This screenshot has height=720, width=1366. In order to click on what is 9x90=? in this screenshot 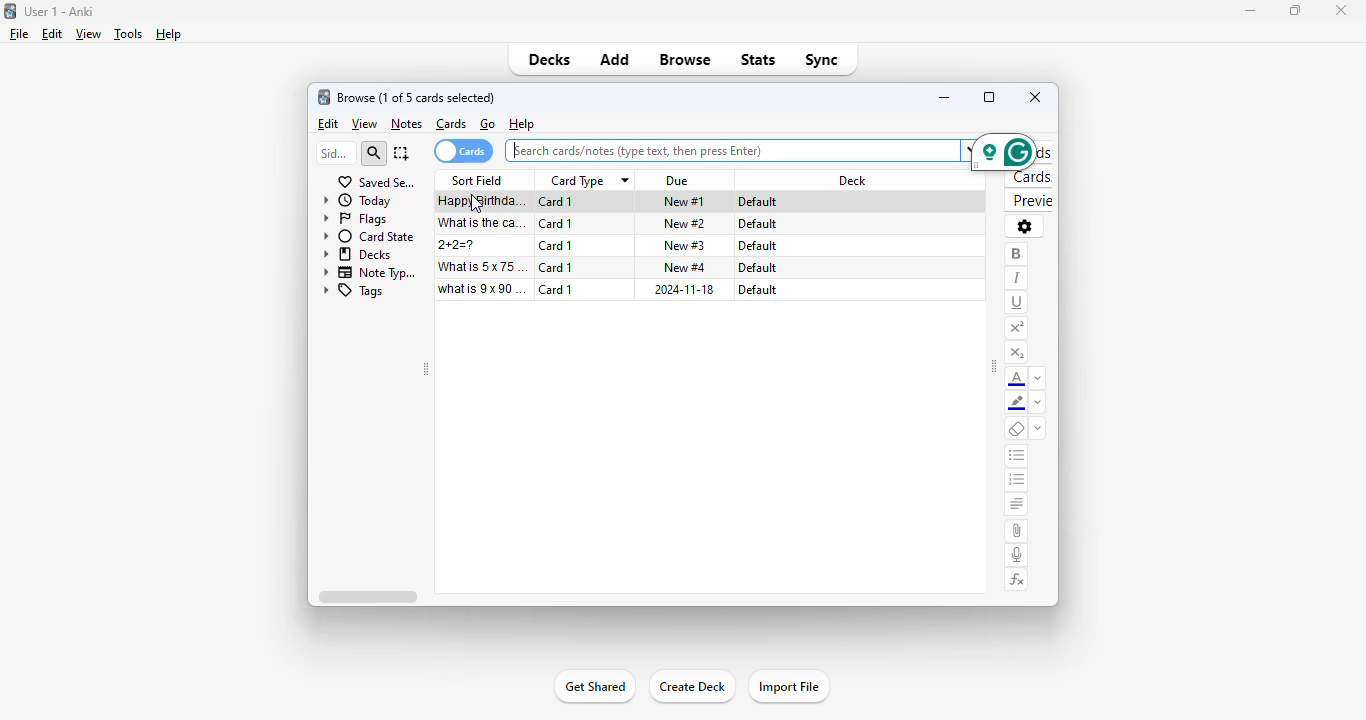, I will do `click(482, 289)`.